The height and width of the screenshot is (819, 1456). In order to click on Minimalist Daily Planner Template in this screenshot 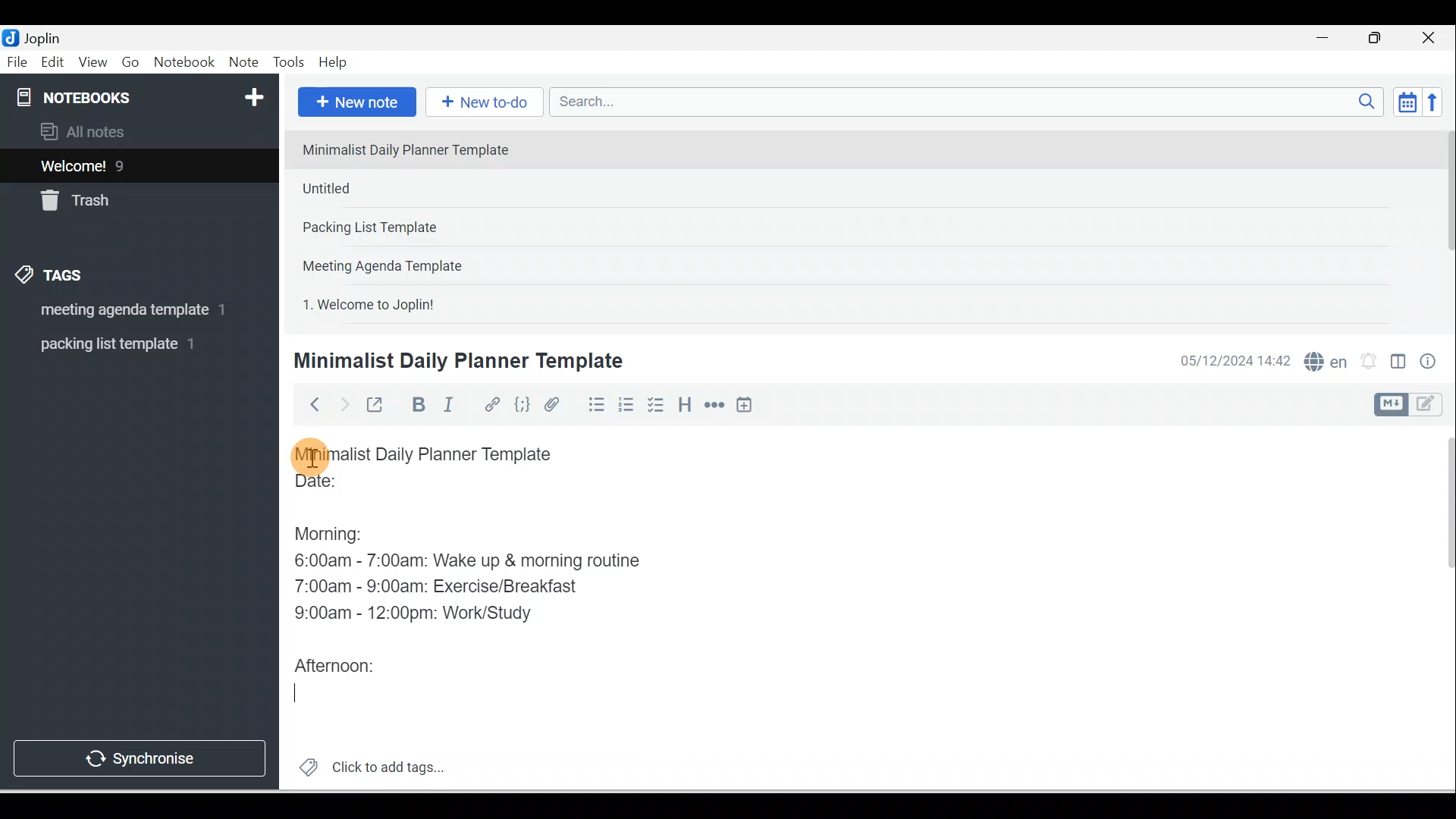, I will do `click(456, 361)`.